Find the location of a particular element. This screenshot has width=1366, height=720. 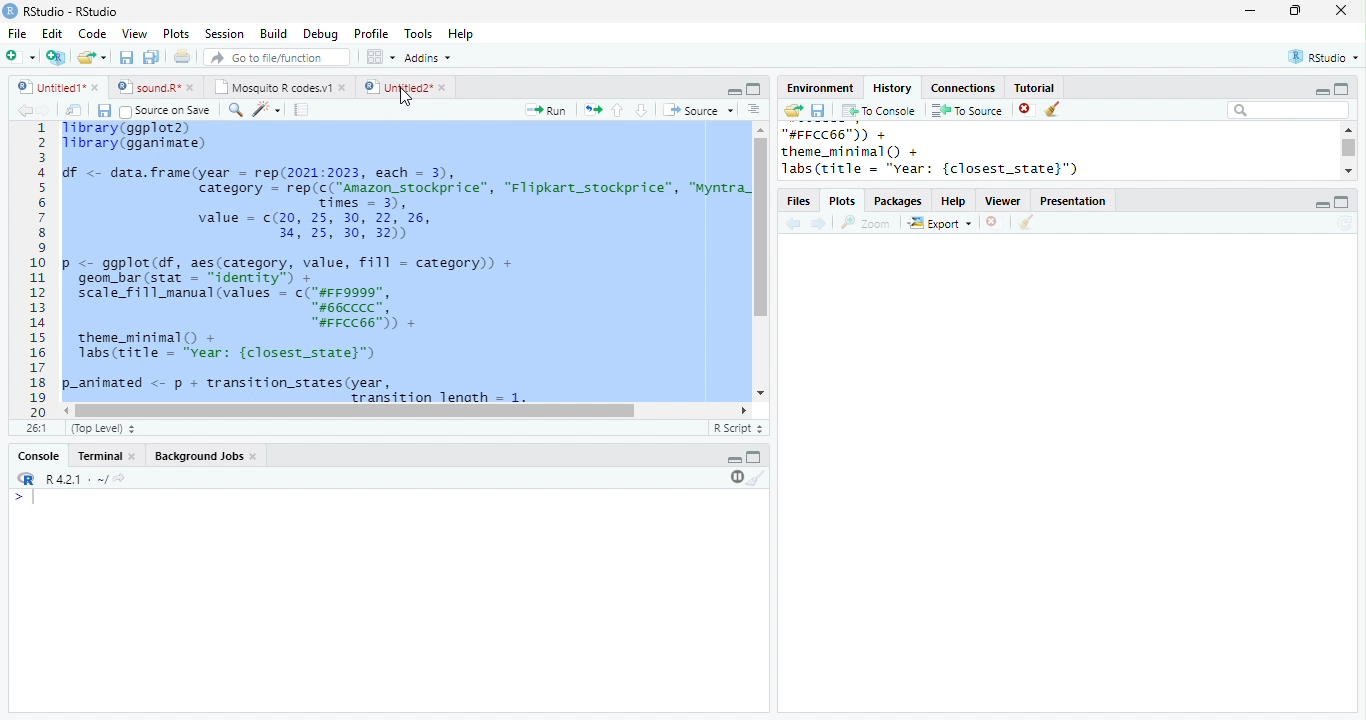

Help is located at coordinates (460, 33).